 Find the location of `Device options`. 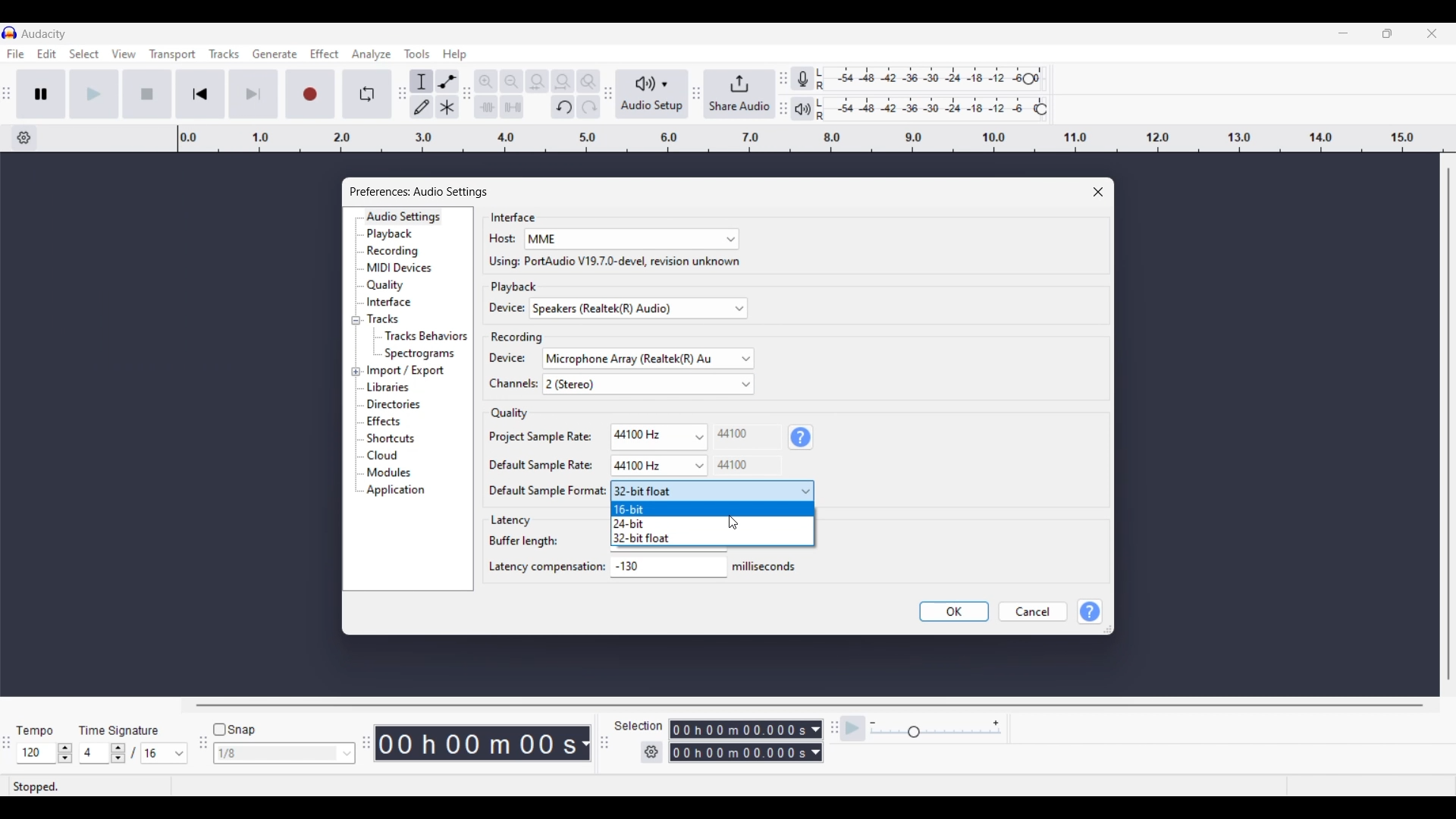

Device options is located at coordinates (639, 309).